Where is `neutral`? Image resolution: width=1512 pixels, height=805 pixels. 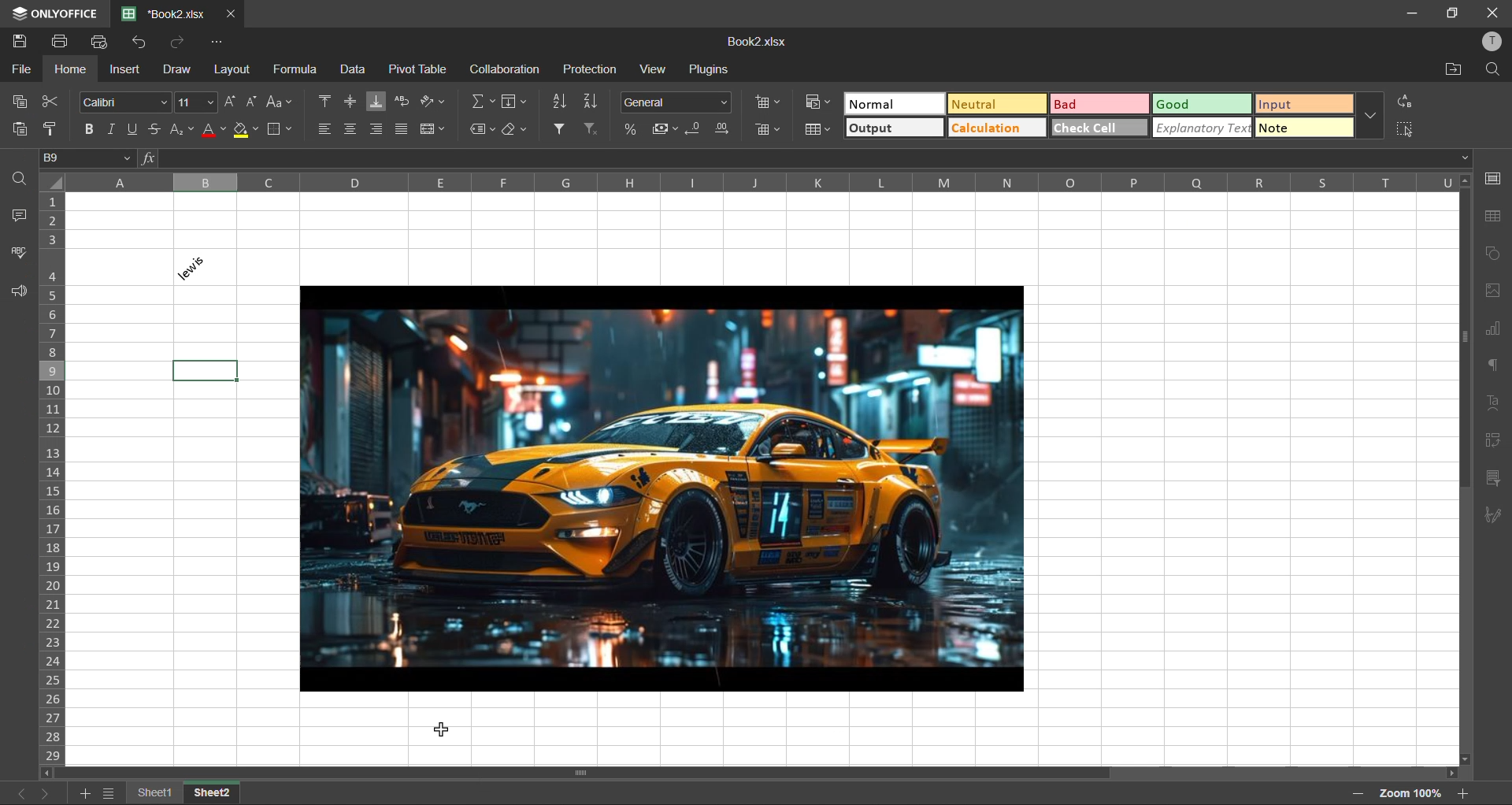
neutral is located at coordinates (997, 104).